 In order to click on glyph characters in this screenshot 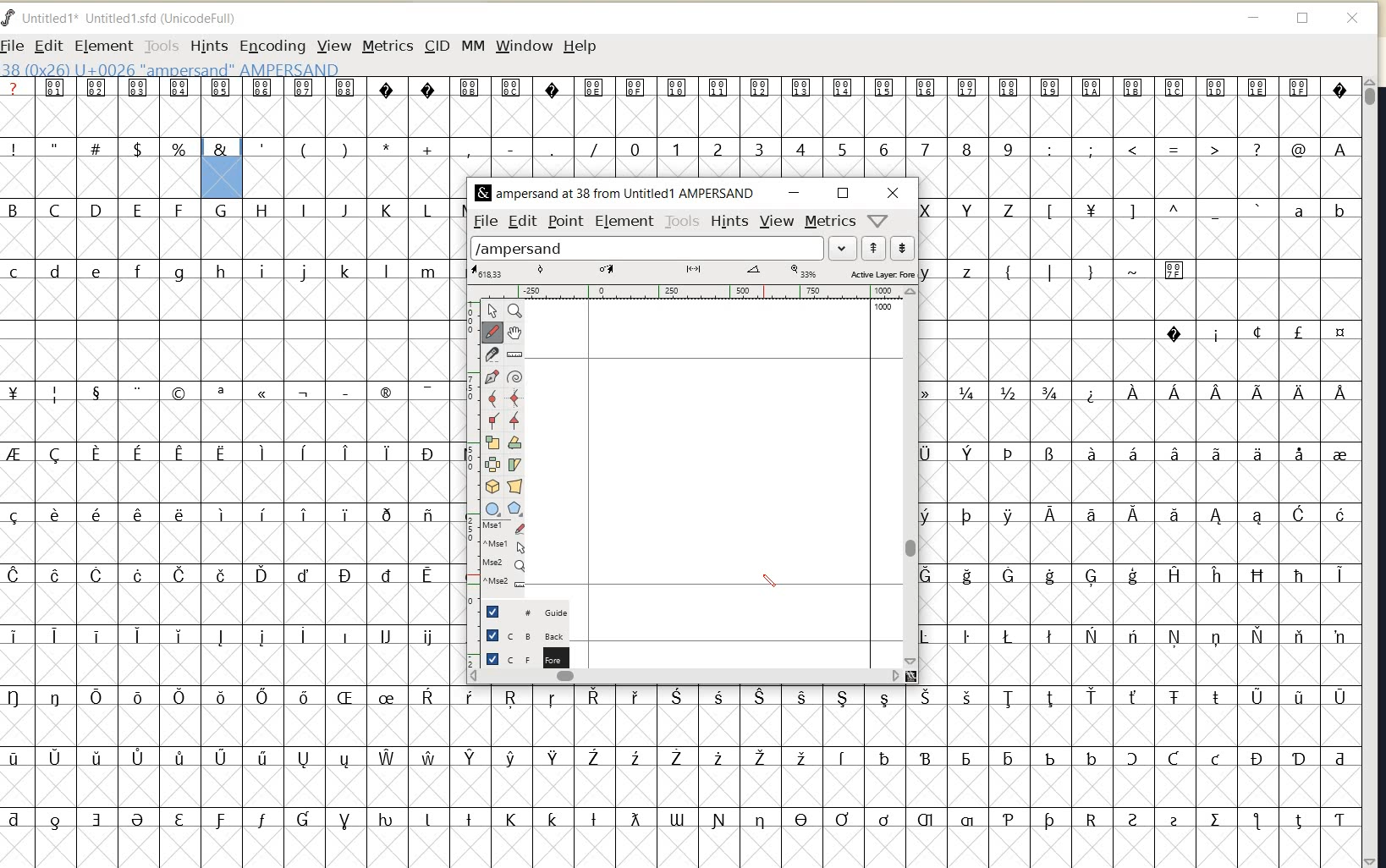, I will do `click(325, 525)`.